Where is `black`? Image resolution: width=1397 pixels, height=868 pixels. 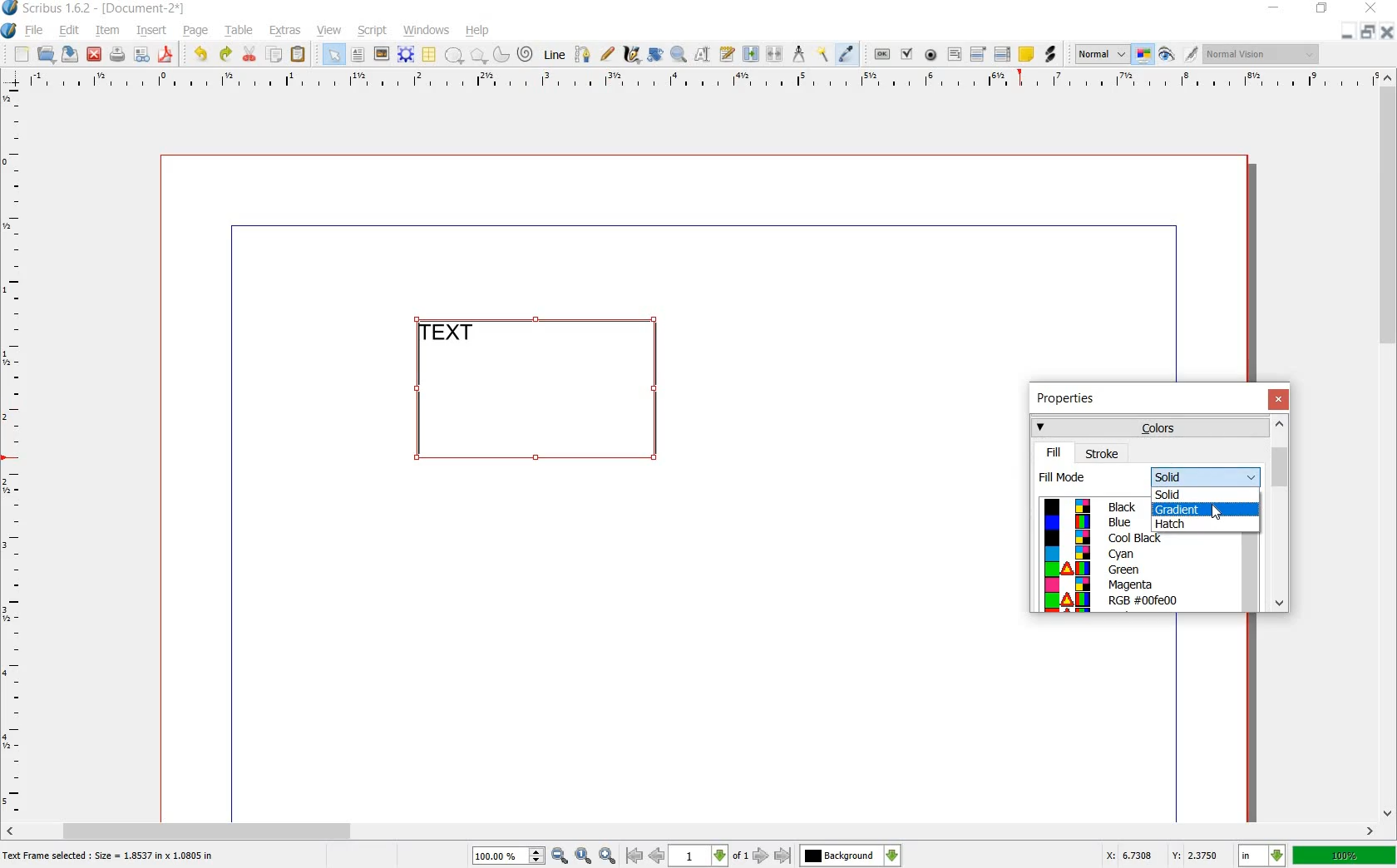
black is located at coordinates (1123, 506).